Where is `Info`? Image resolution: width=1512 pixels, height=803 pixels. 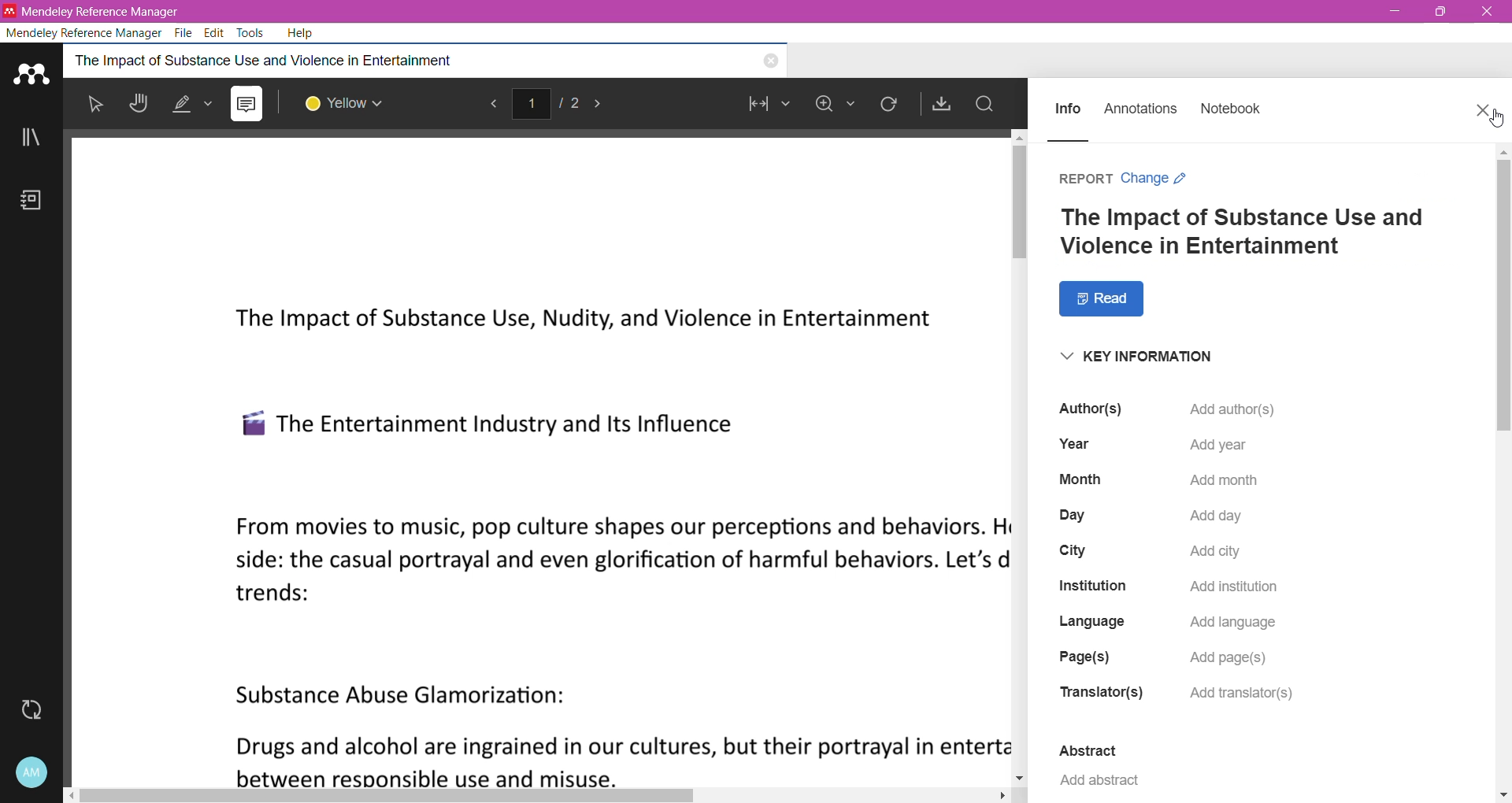 Info is located at coordinates (1069, 106).